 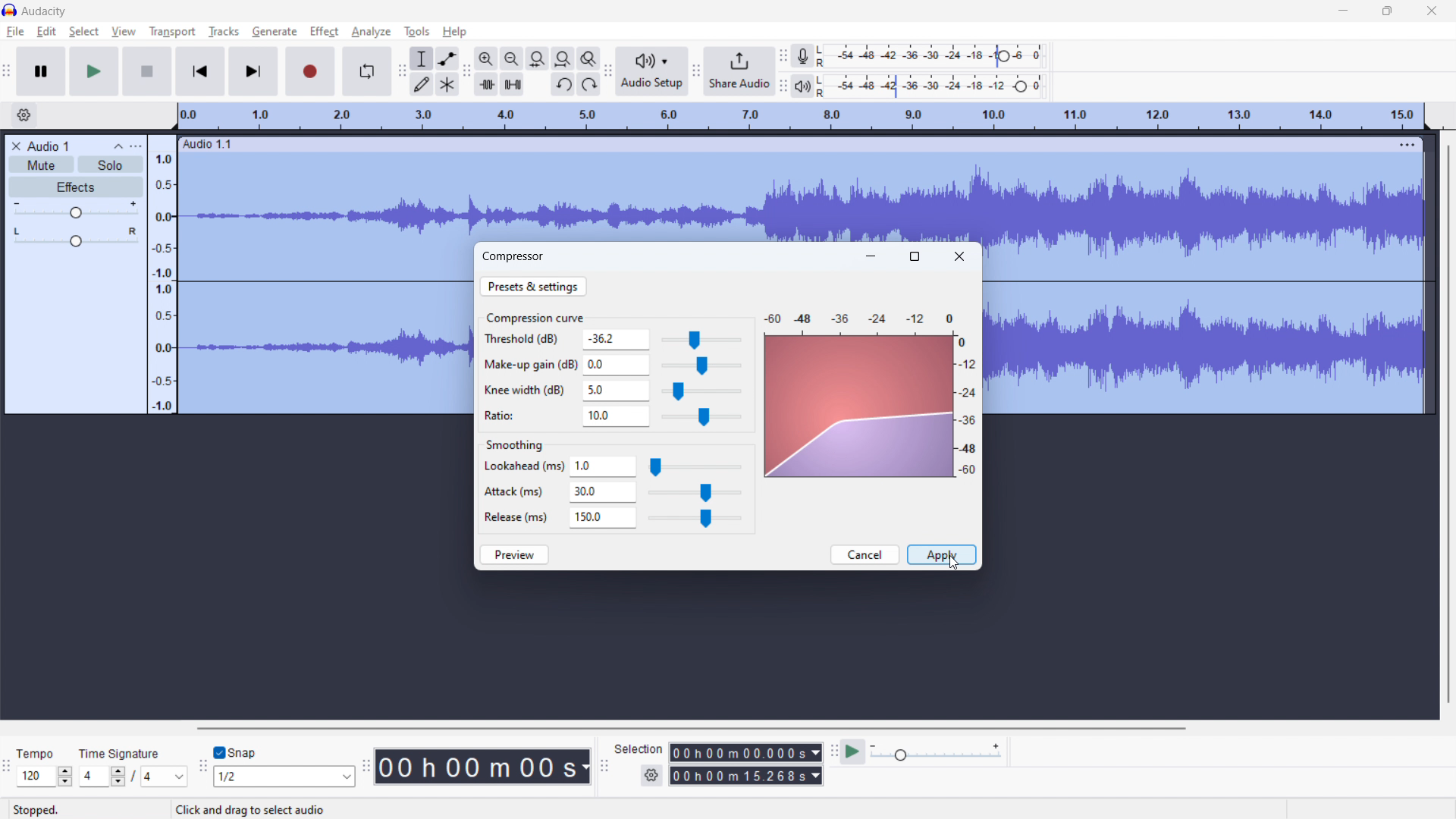 What do you see at coordinates (135, 146) in the screenshot?
I see `view menu` at bounding box center [135, 146].